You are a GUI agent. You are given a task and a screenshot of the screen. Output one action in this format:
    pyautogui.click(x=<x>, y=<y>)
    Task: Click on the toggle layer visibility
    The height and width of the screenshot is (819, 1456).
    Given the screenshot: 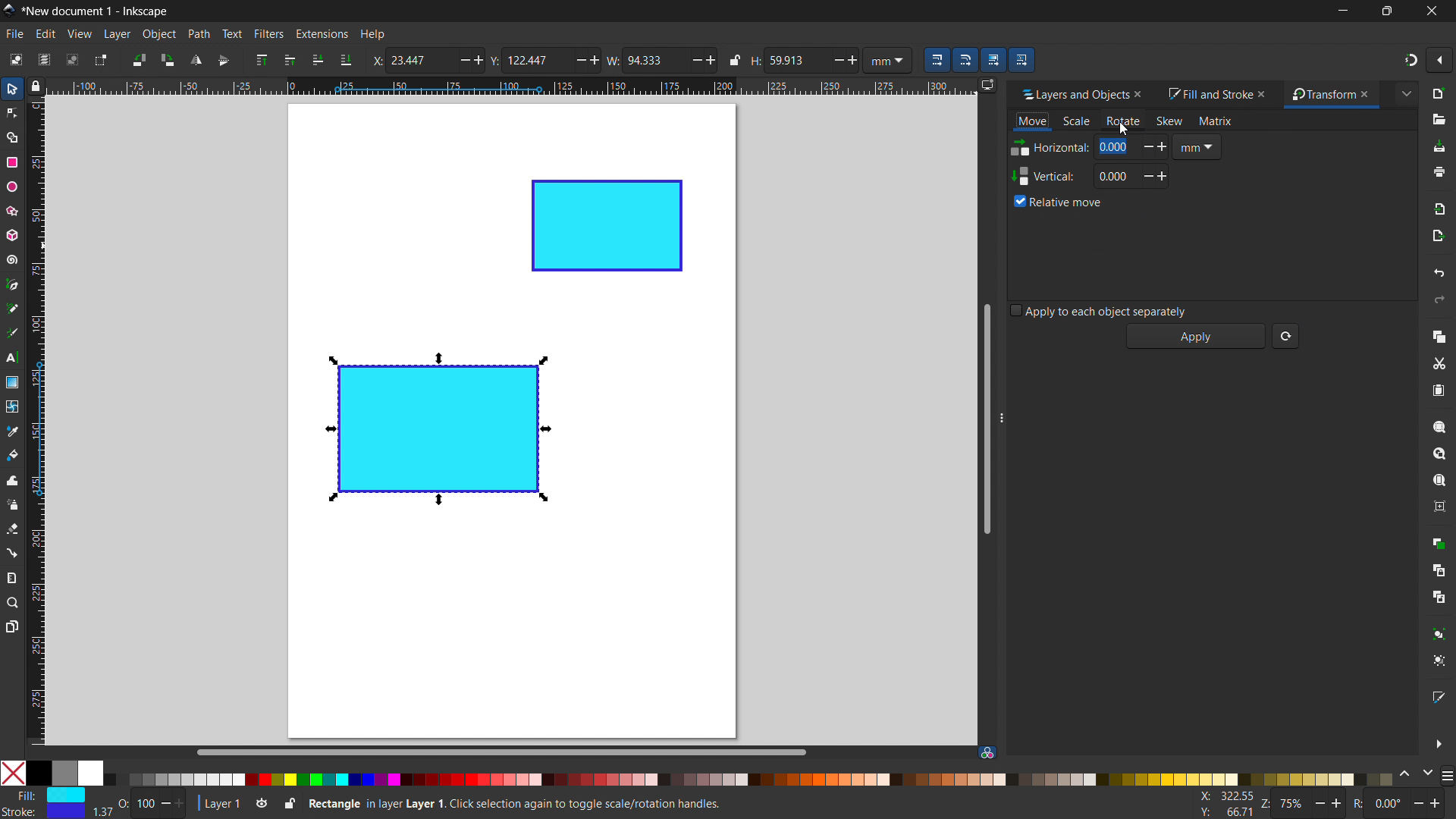 What is the action you would take?
    pyautogui.click(x=262, y=805)
    